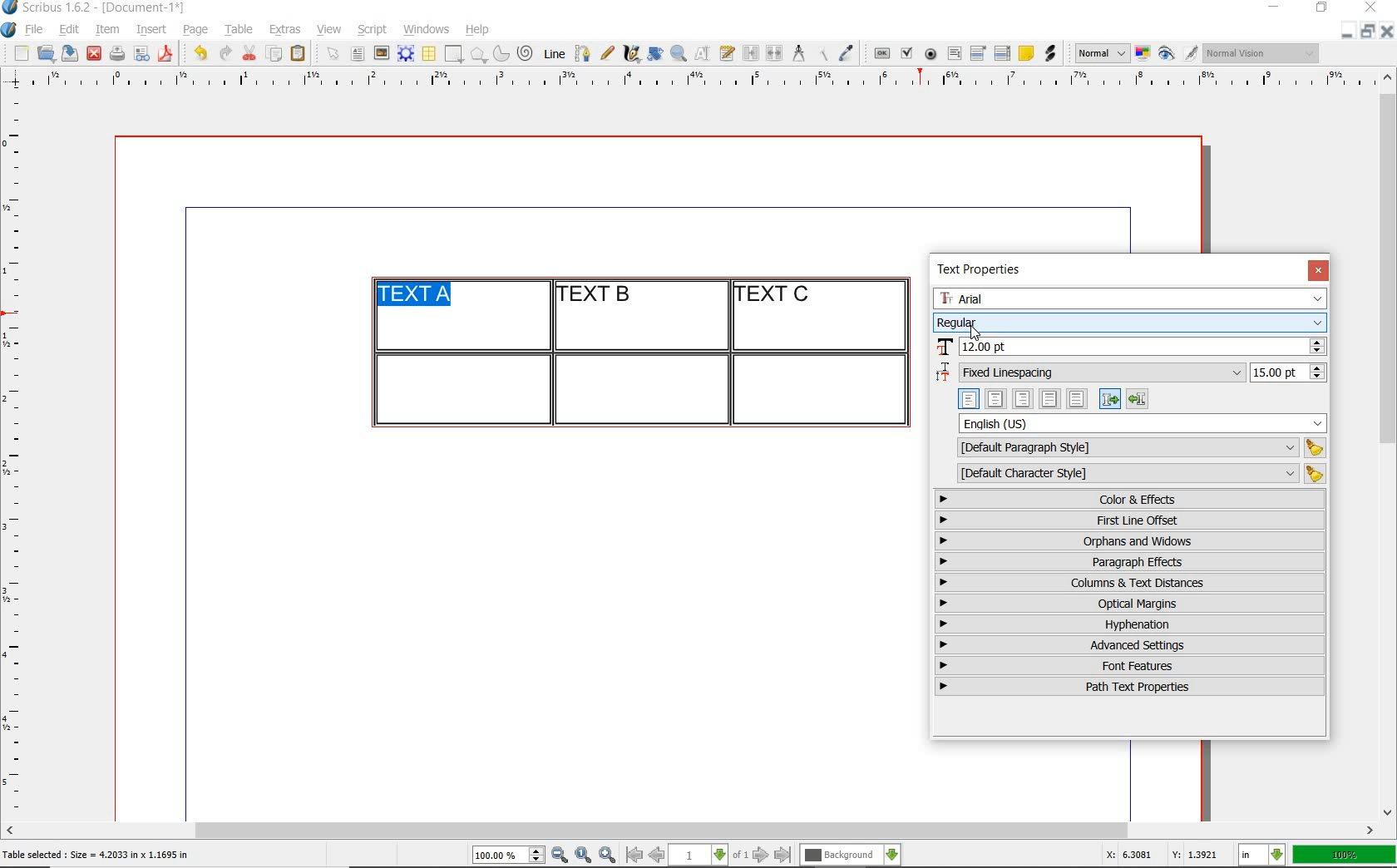 The height and width of the screenshot is (868, 1397). Describe the element at coordinates (1348, 30) in the screenshot. I see `minimize` at that location.